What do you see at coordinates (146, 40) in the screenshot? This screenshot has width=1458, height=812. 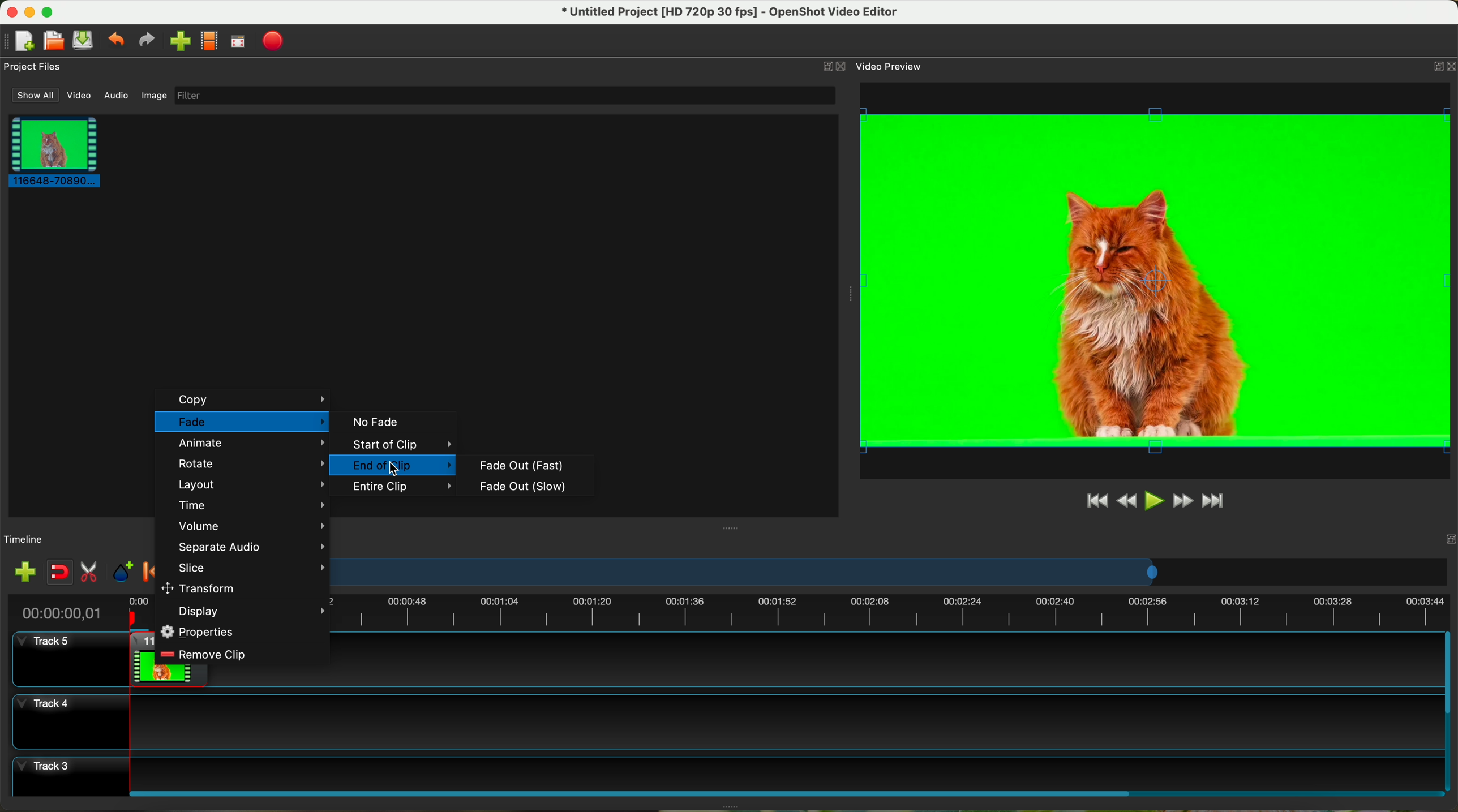 I see `redo` at bounding box center [146, 40].